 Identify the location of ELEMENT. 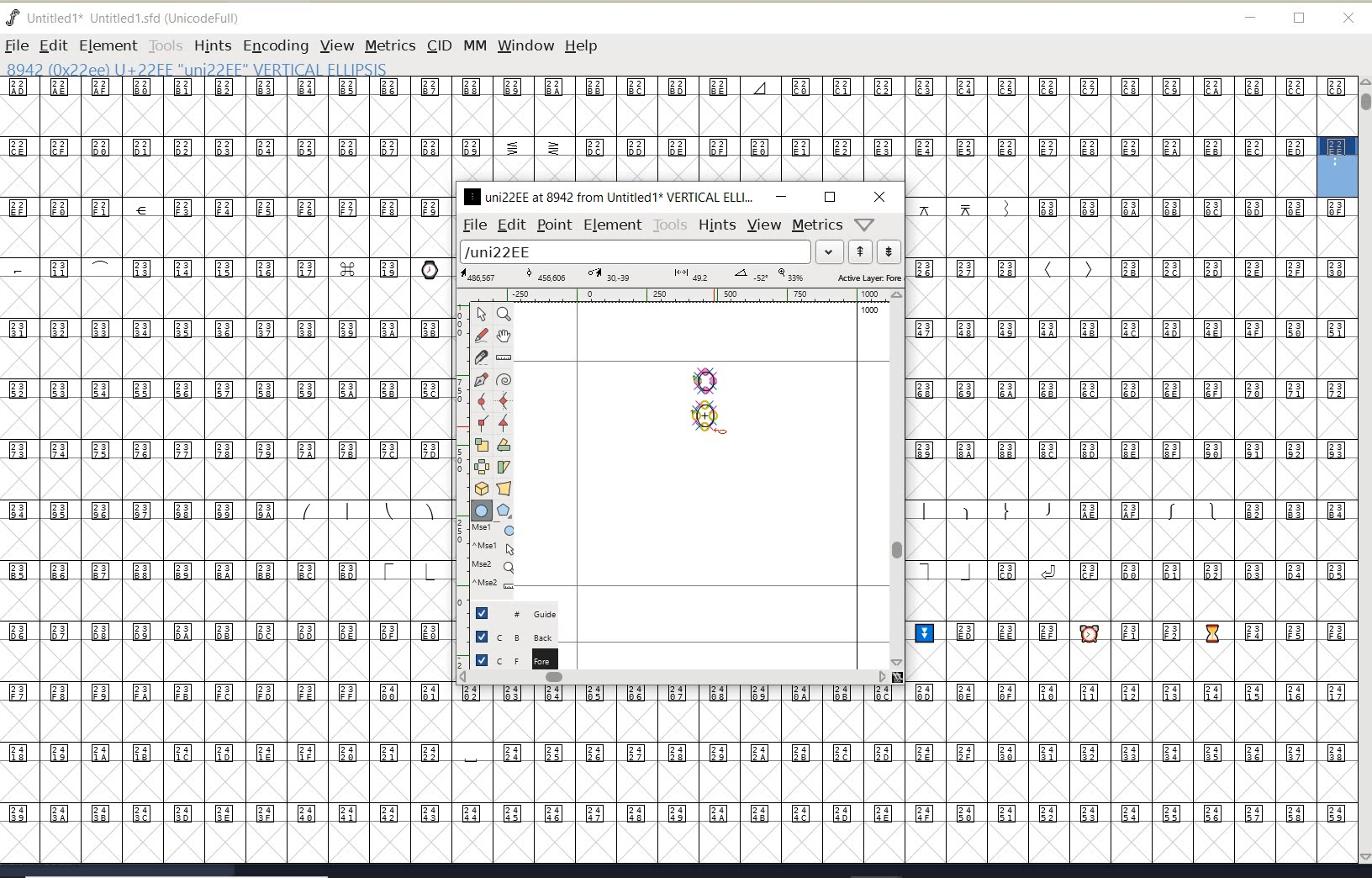
(108, 45).